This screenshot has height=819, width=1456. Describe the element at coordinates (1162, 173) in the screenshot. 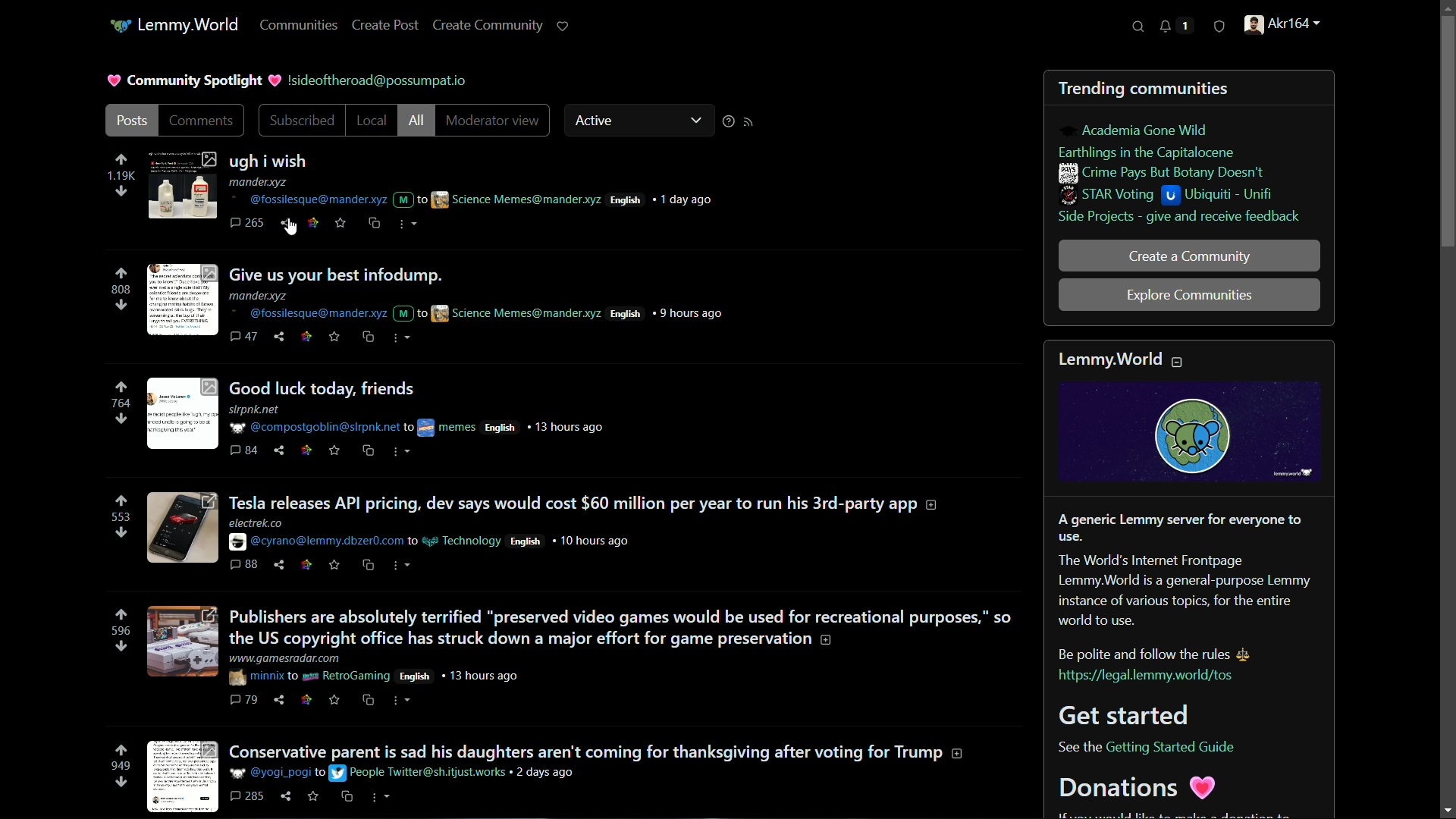

I see `crime pays but botany doesn't` at that location.